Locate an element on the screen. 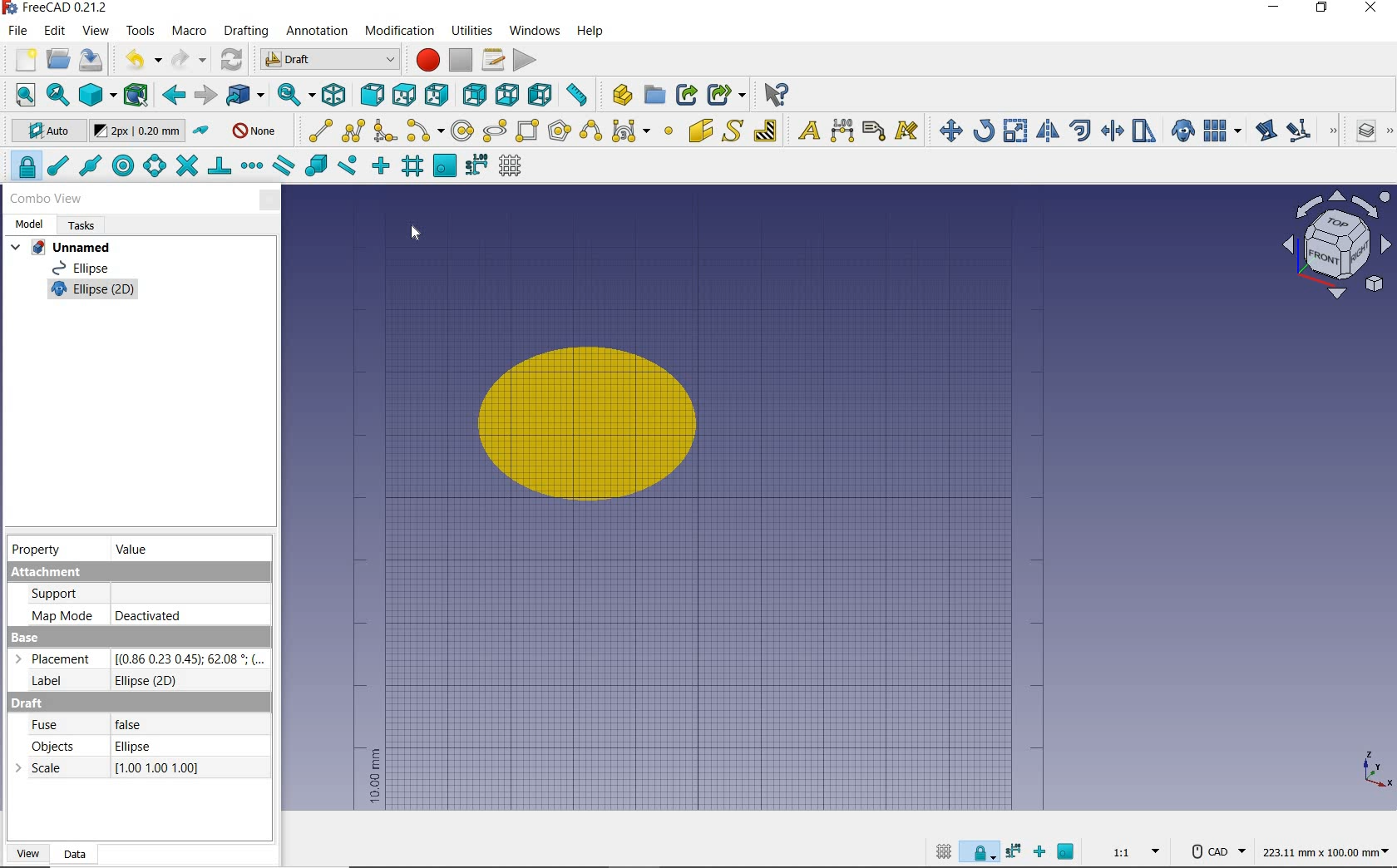 This screenshot has width=1397, height=868. clone is located at coordinates (1181, 130).